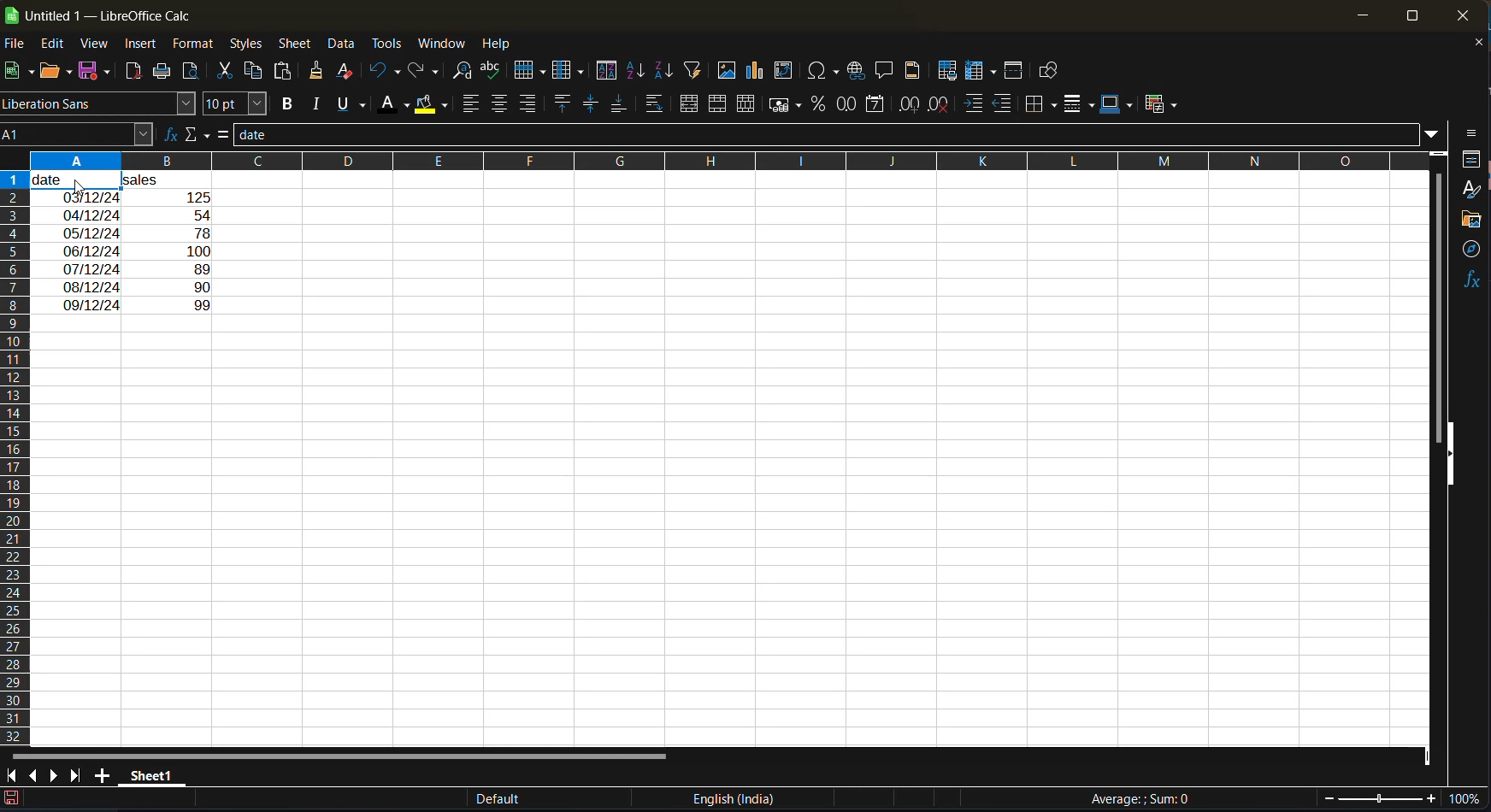 The height and width of the screenshot is (812, 1491). I want to click on insert, so click(144, 46).